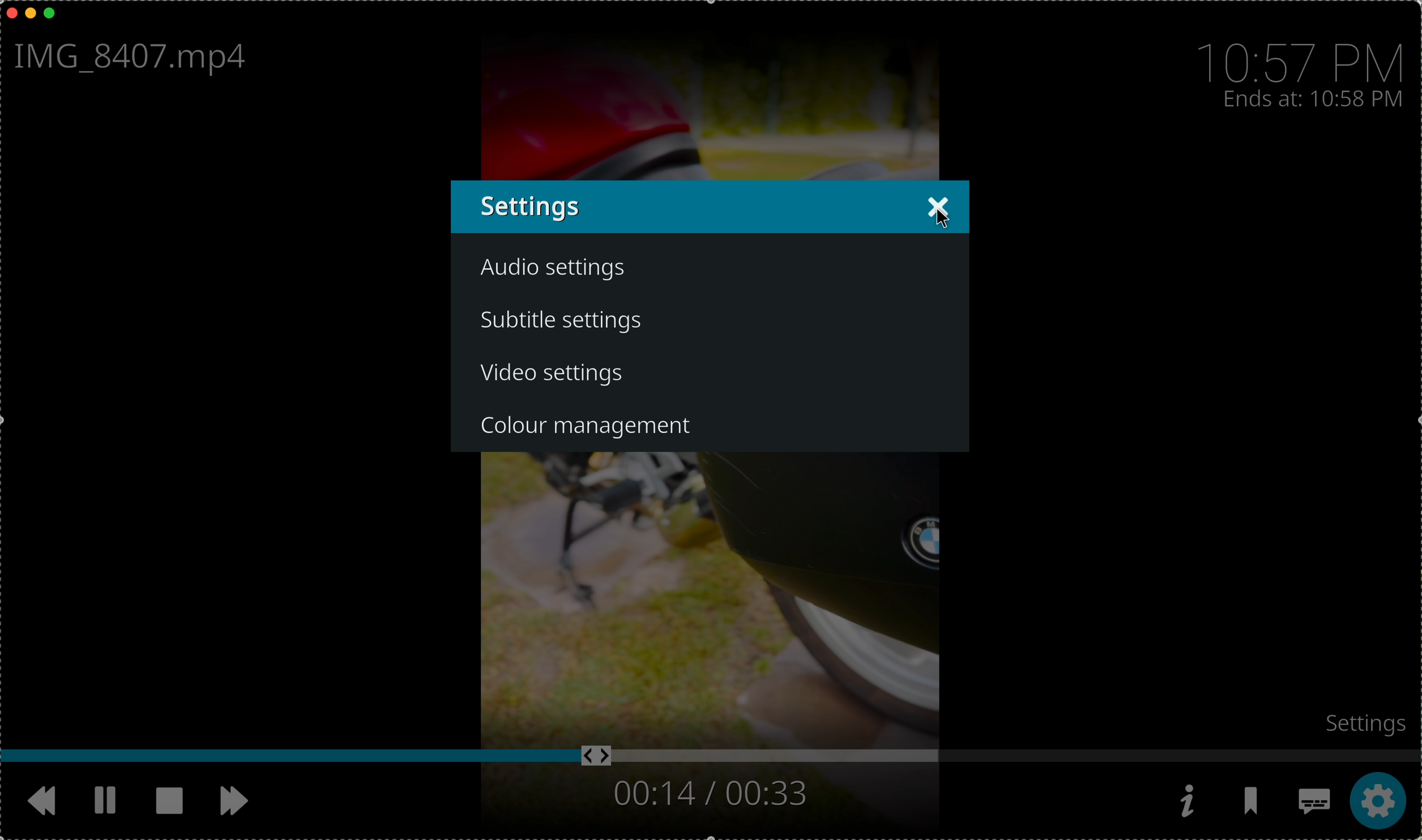 The width and height of the screenshot is (1422, 840). I want to click on audio settings, so click(554, 269).